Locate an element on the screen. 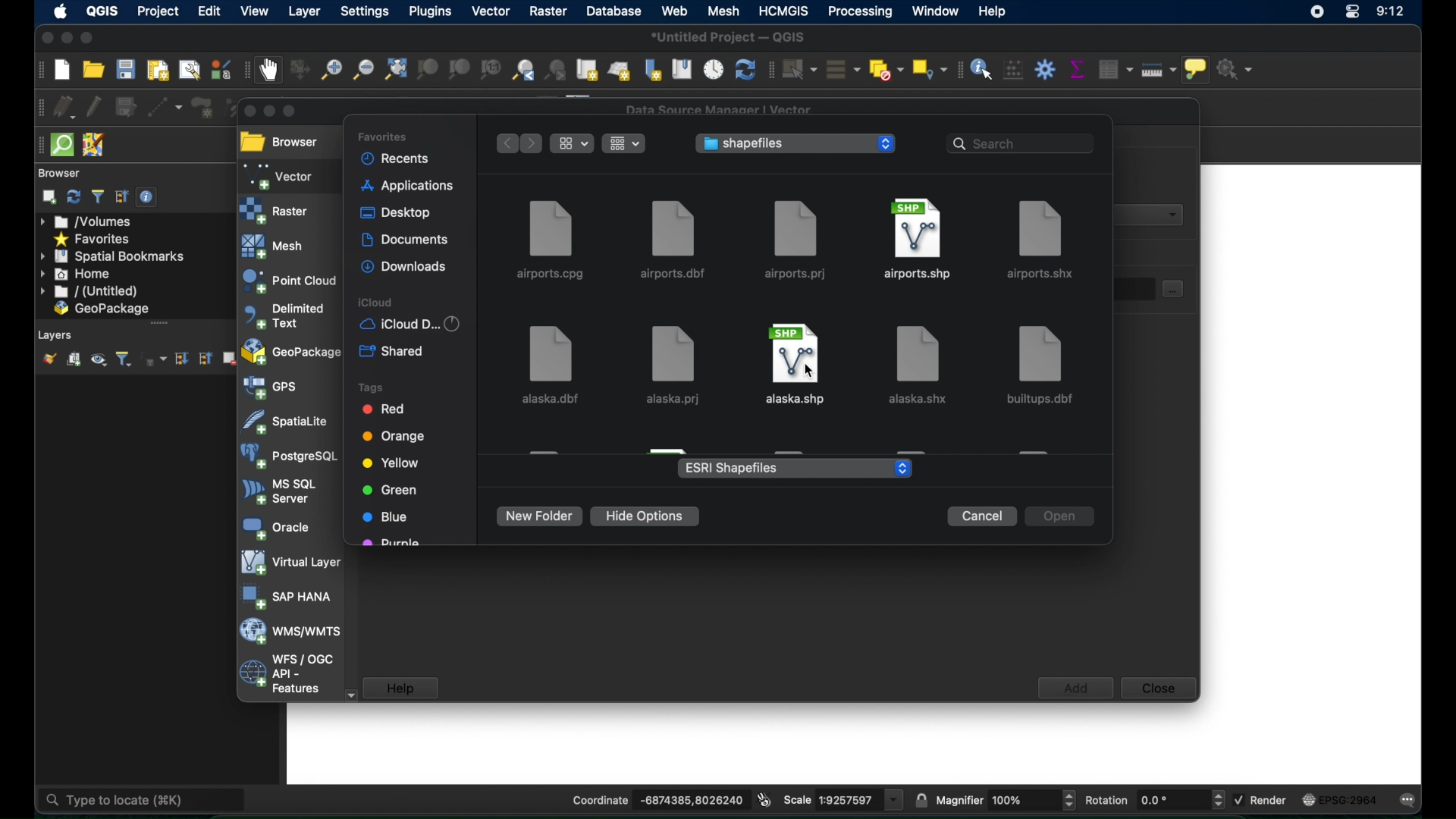 This screenshot has height=819, width=1456. virtual layer is located at coordinates (288, 563).